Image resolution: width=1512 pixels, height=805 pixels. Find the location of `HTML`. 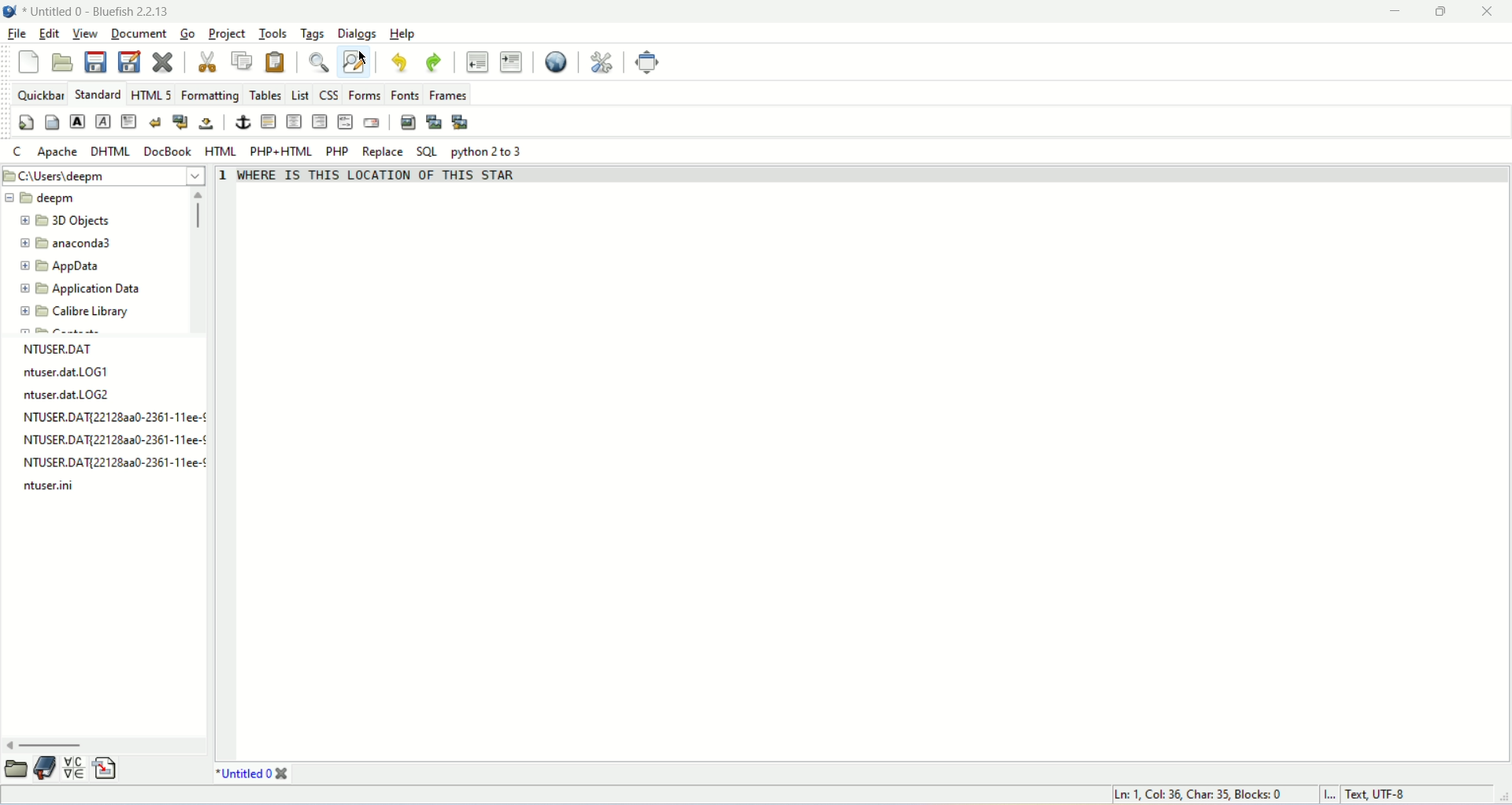

HTML is located at coordinates (223, 151).